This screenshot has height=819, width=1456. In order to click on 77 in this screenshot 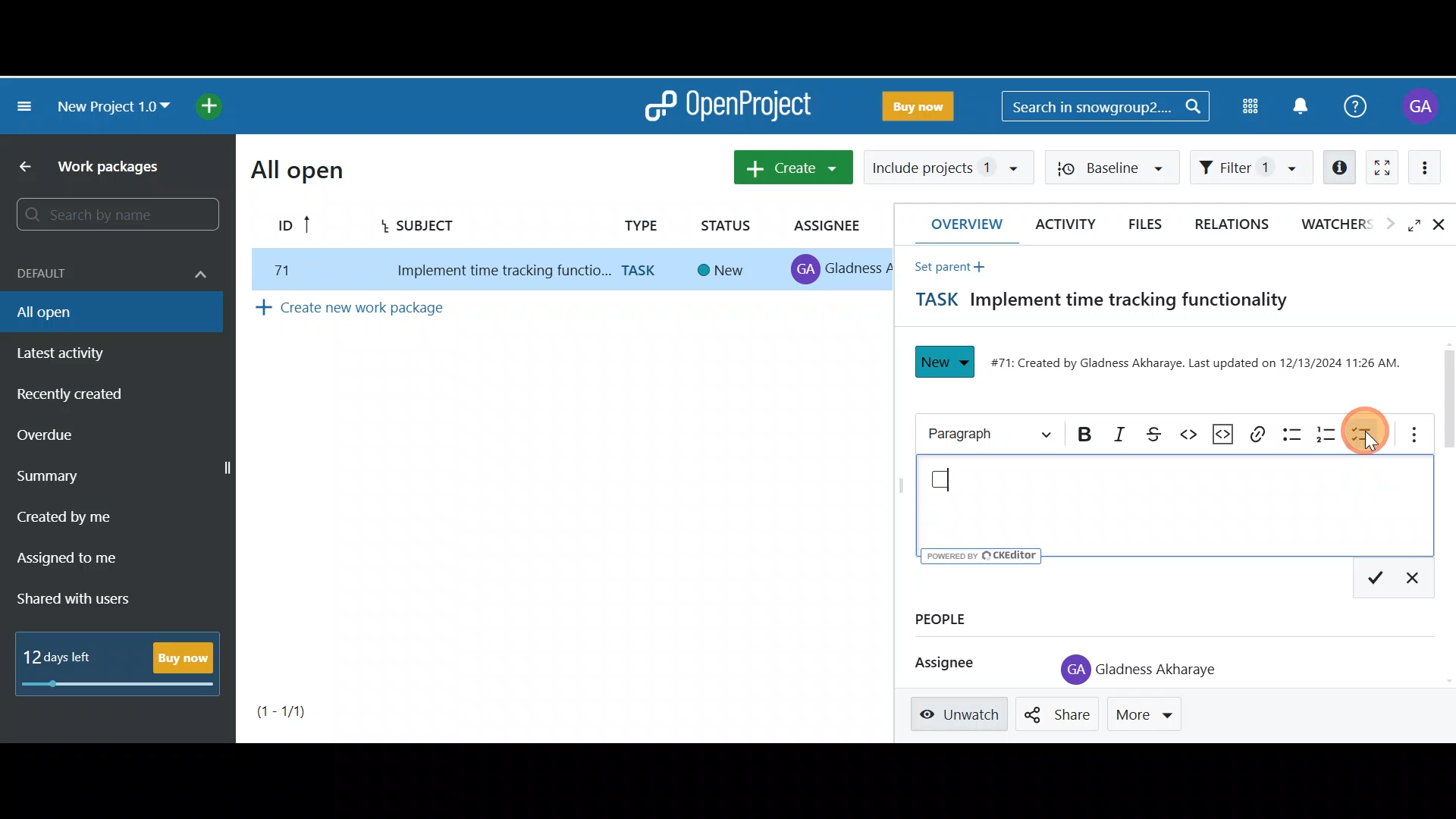, I will do `click(278, 270)`.